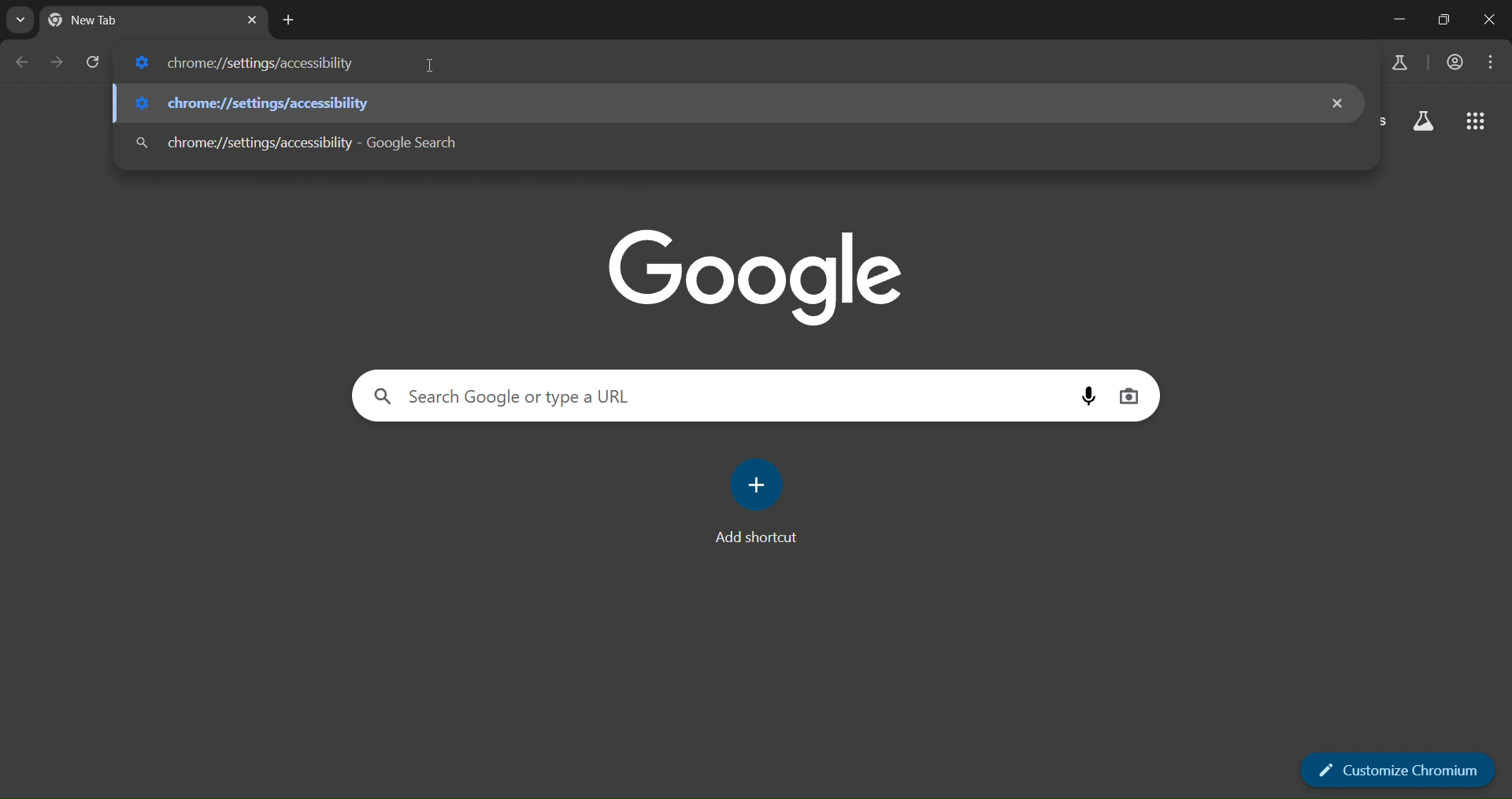 This screenshot has width=1512, height=799. What do you see at coordinates (1129, 396) in the screenshot?
I see `image search` at bounding box center [1129, 396].